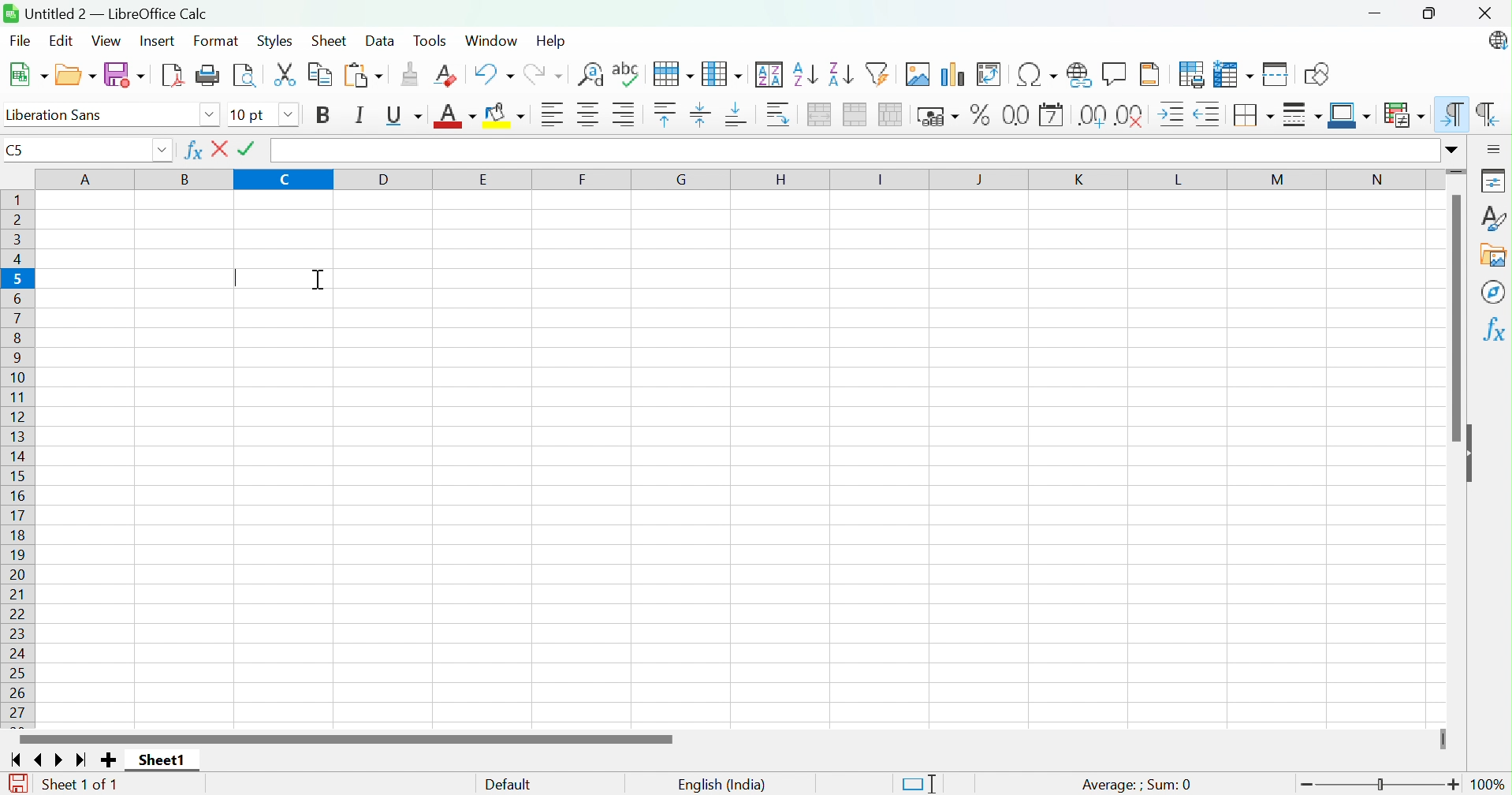 The image size is (1512, 795). Describe the element at coordinates (1150, 73) in the screenshot. I see `Headers and footers` at that location.